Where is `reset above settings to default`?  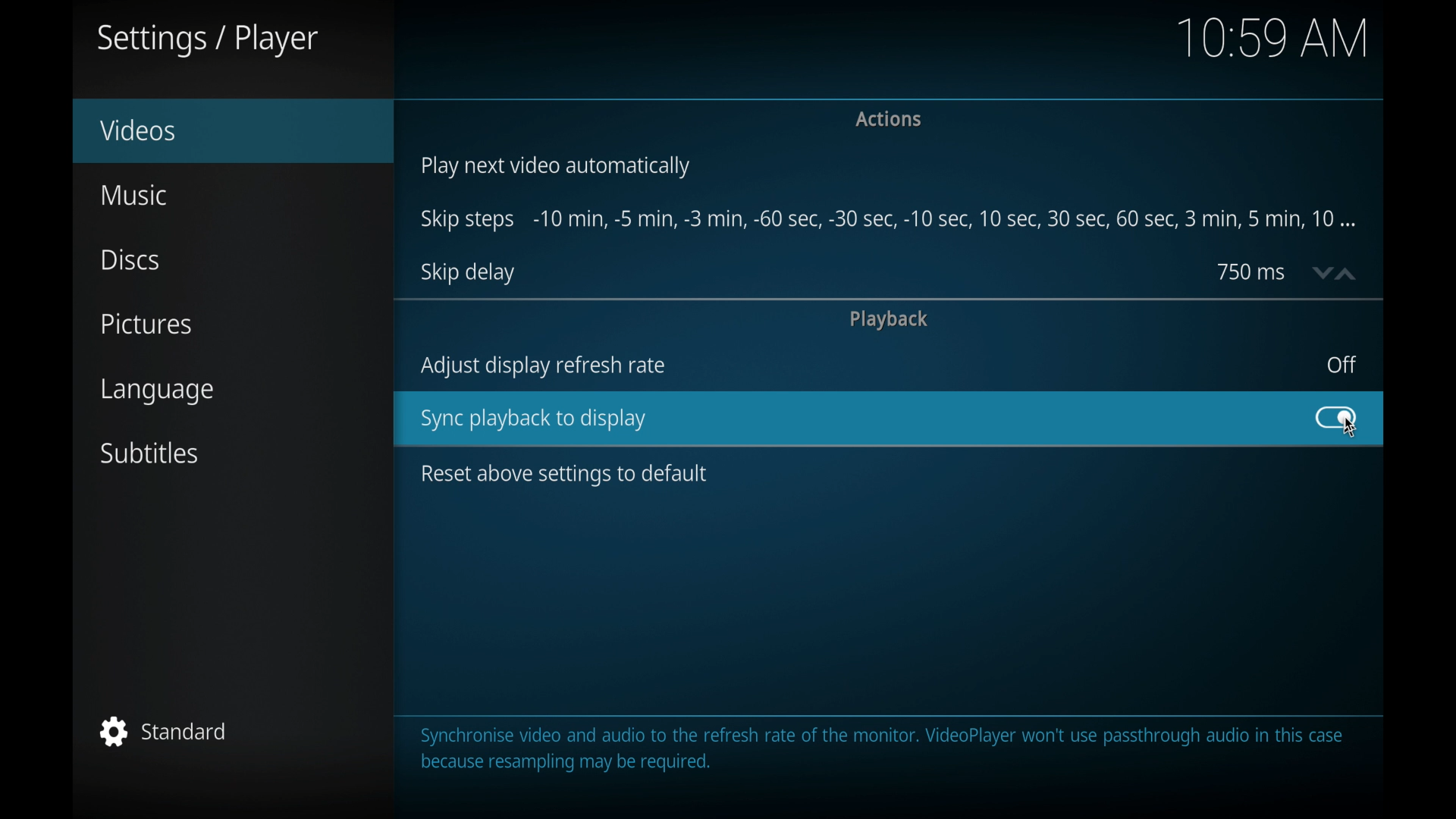 reset above settings to default is located at coordinates (569, 475).